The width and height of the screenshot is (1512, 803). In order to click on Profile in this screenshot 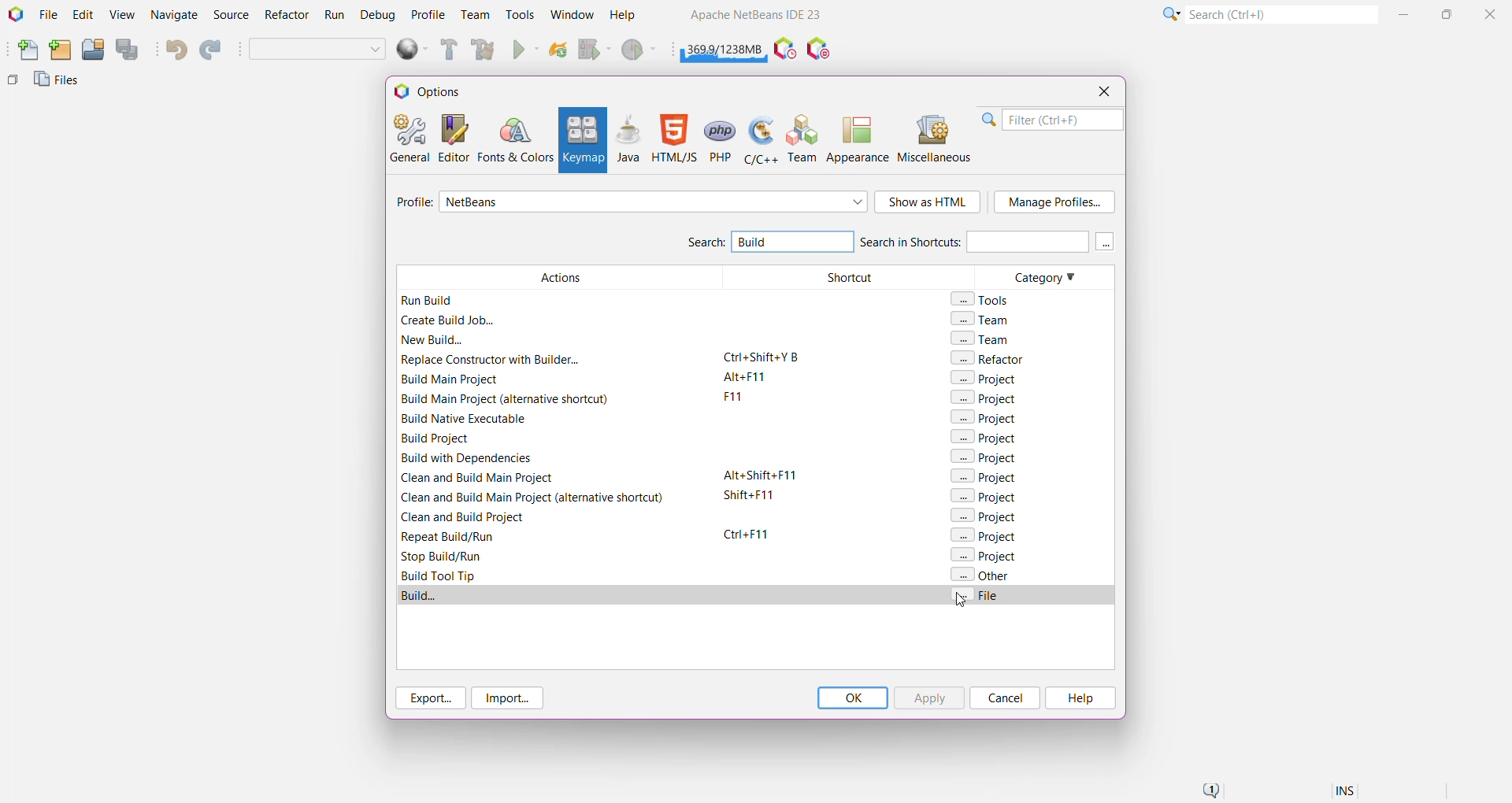, I will do `click(428, 14)`.